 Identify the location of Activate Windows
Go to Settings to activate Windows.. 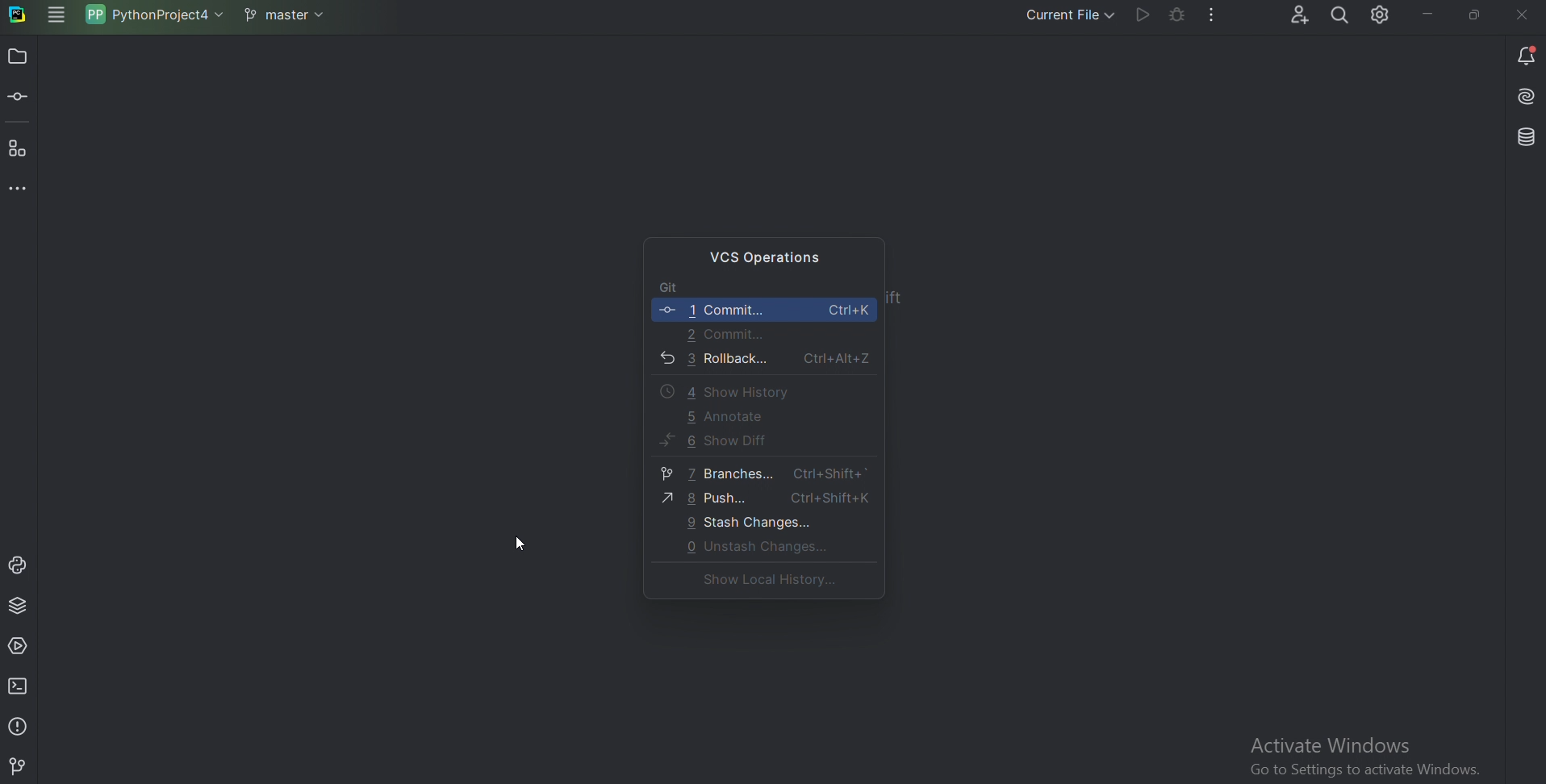
(1373, 753).